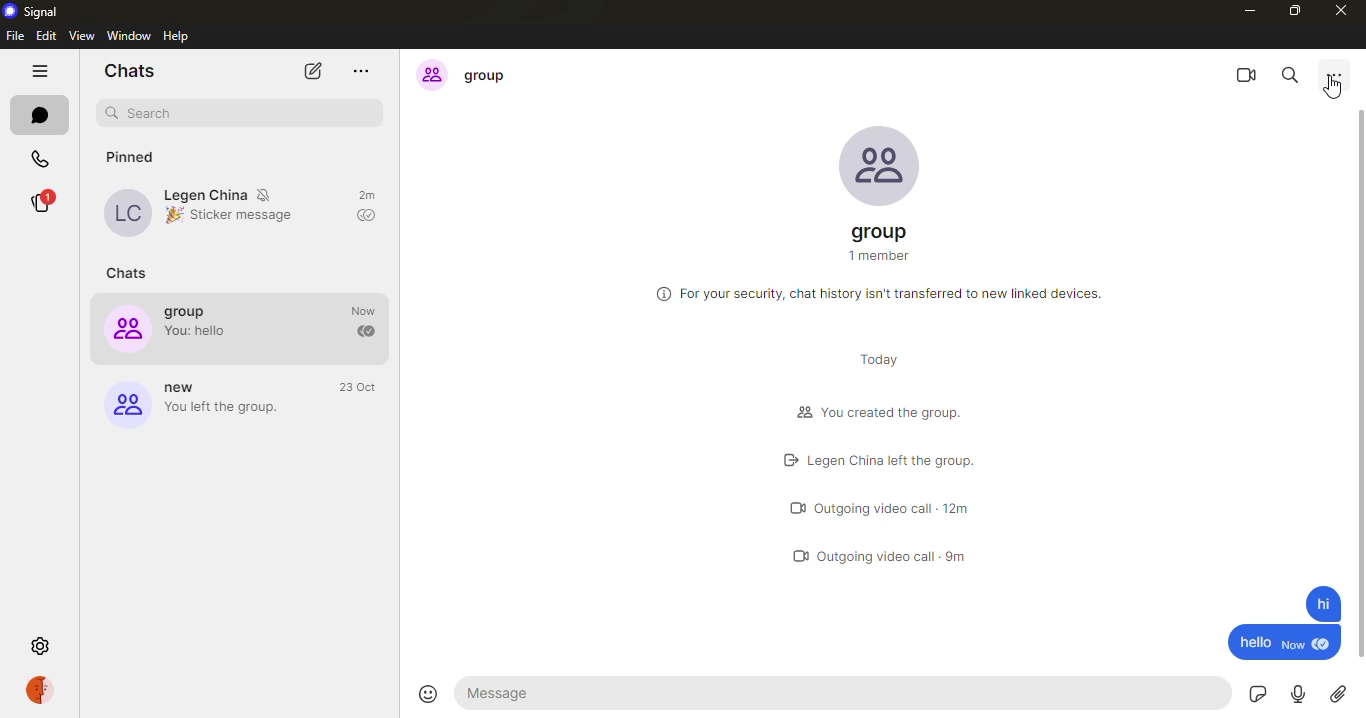 This screenshot has width=1366, height=718. What do you see at coordinates (661, 294) in the screenshot?
I see `more information` at bounding box center [661, 294].